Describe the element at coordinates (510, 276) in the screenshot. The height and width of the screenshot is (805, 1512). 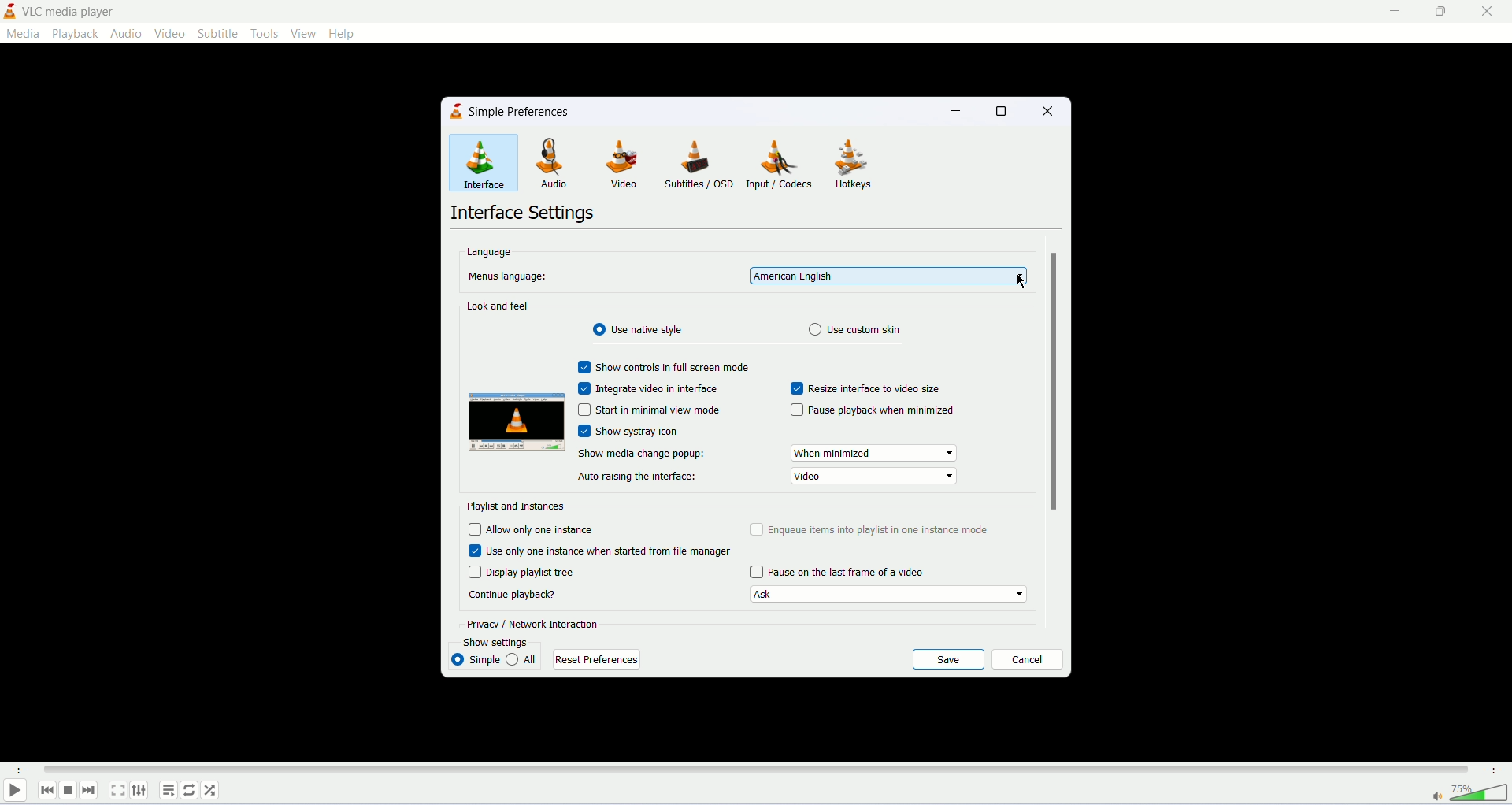
I see `menus language` at that location.